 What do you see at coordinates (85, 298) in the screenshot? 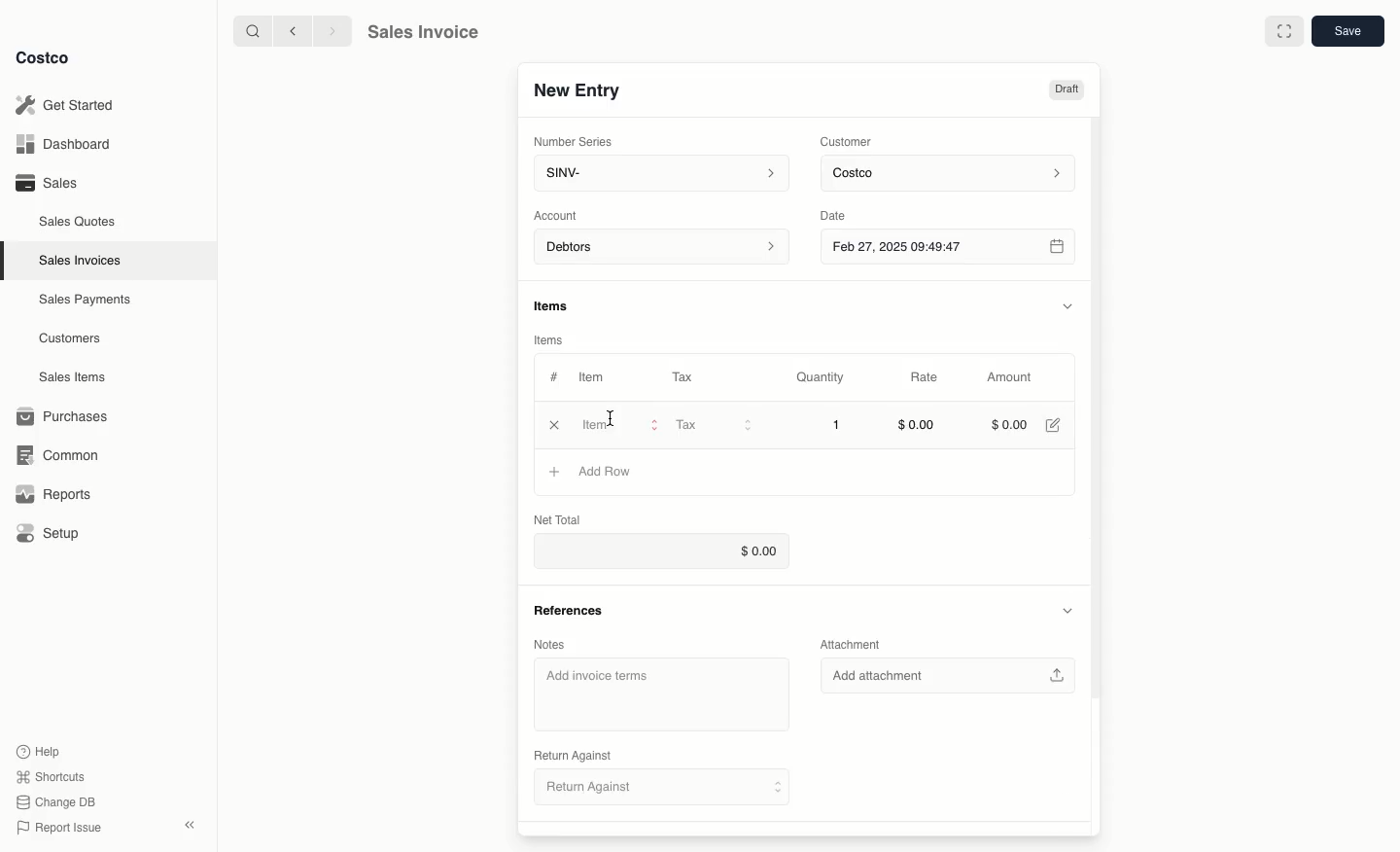
I see `‘Sales Payments` at bounding box center [85, 298].